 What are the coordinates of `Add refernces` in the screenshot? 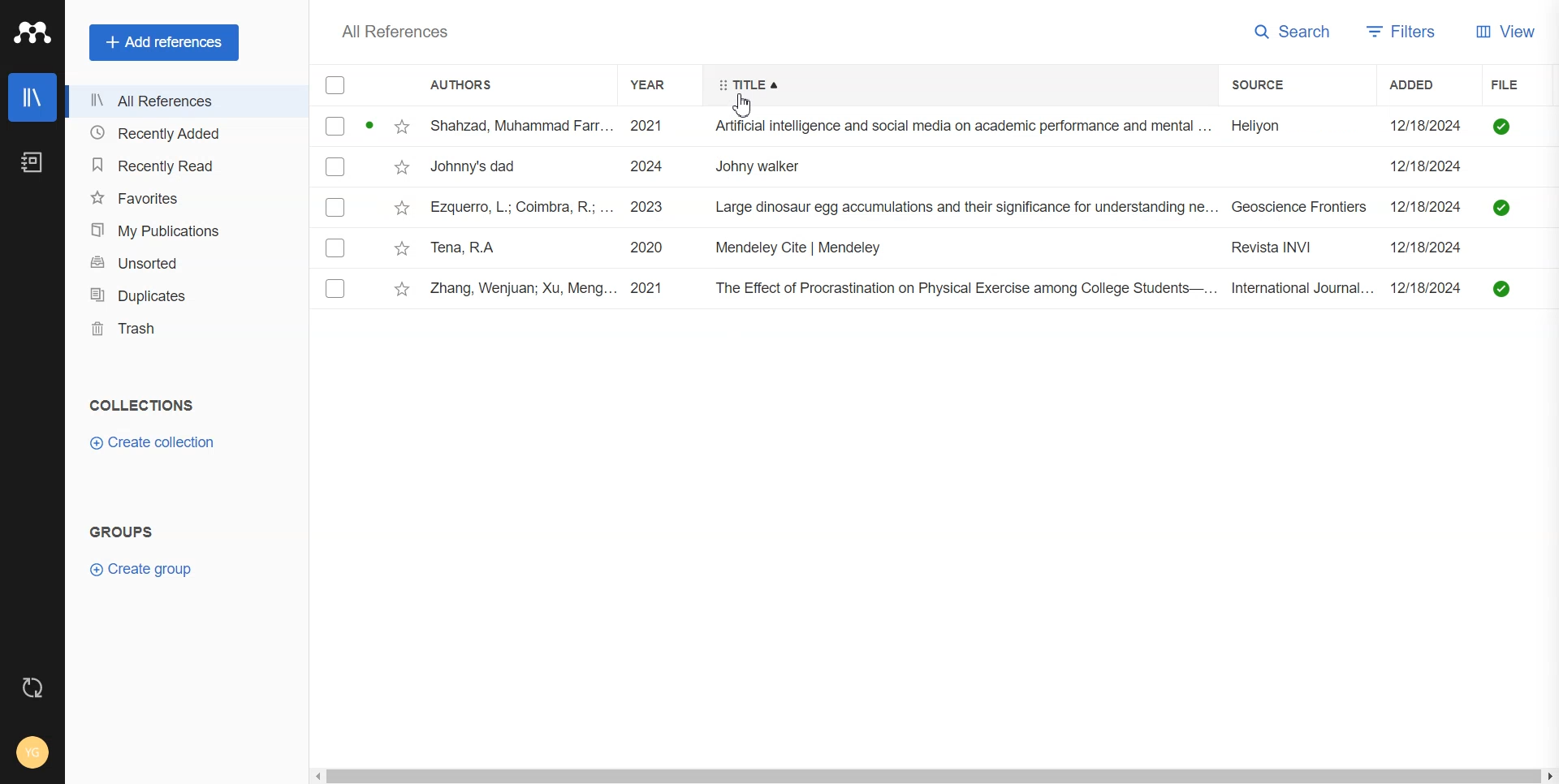 It's located at (164, 43).